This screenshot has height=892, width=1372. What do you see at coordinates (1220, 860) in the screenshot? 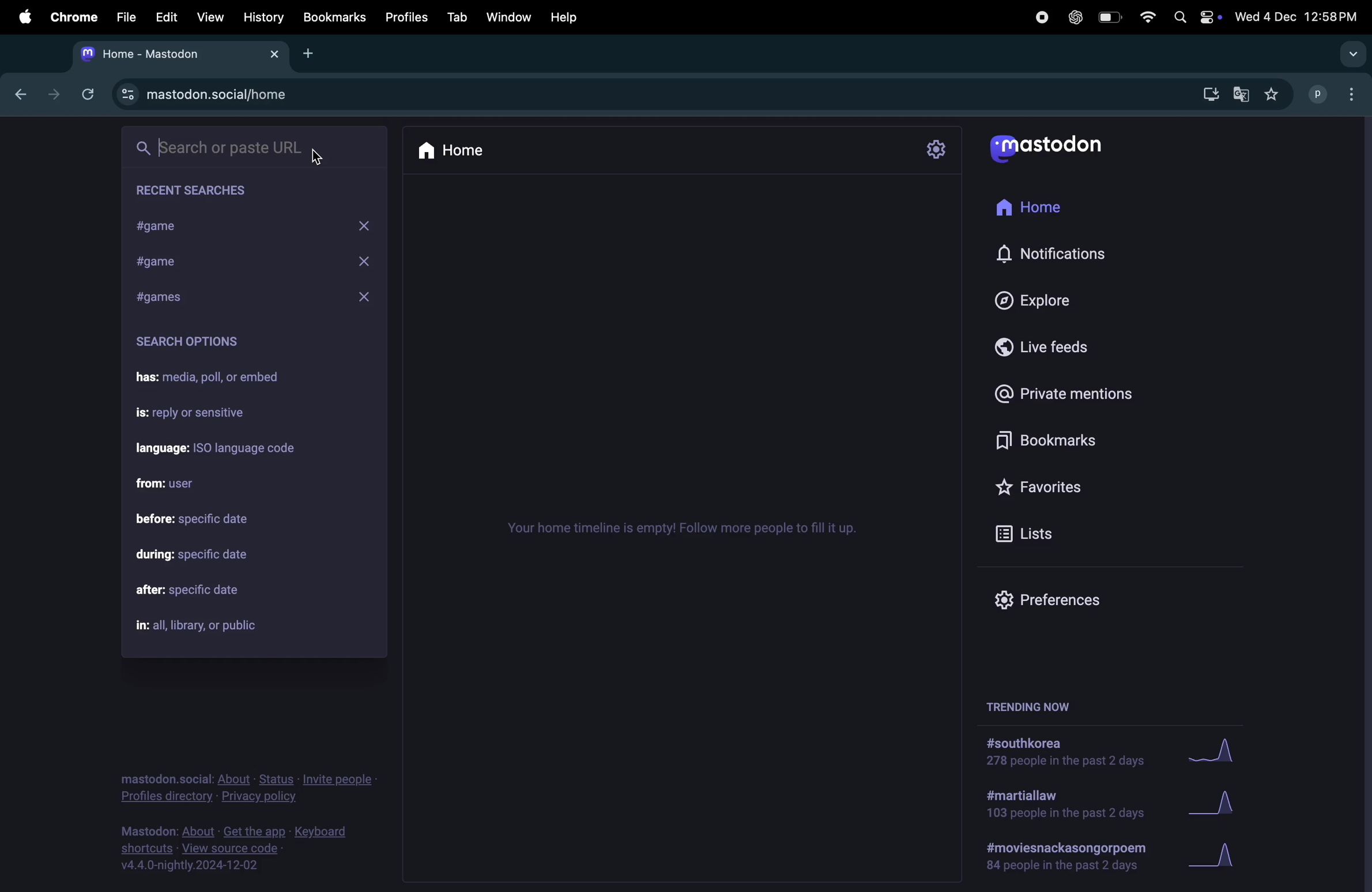
I see `grapj` at bounding box center [1220, 860].